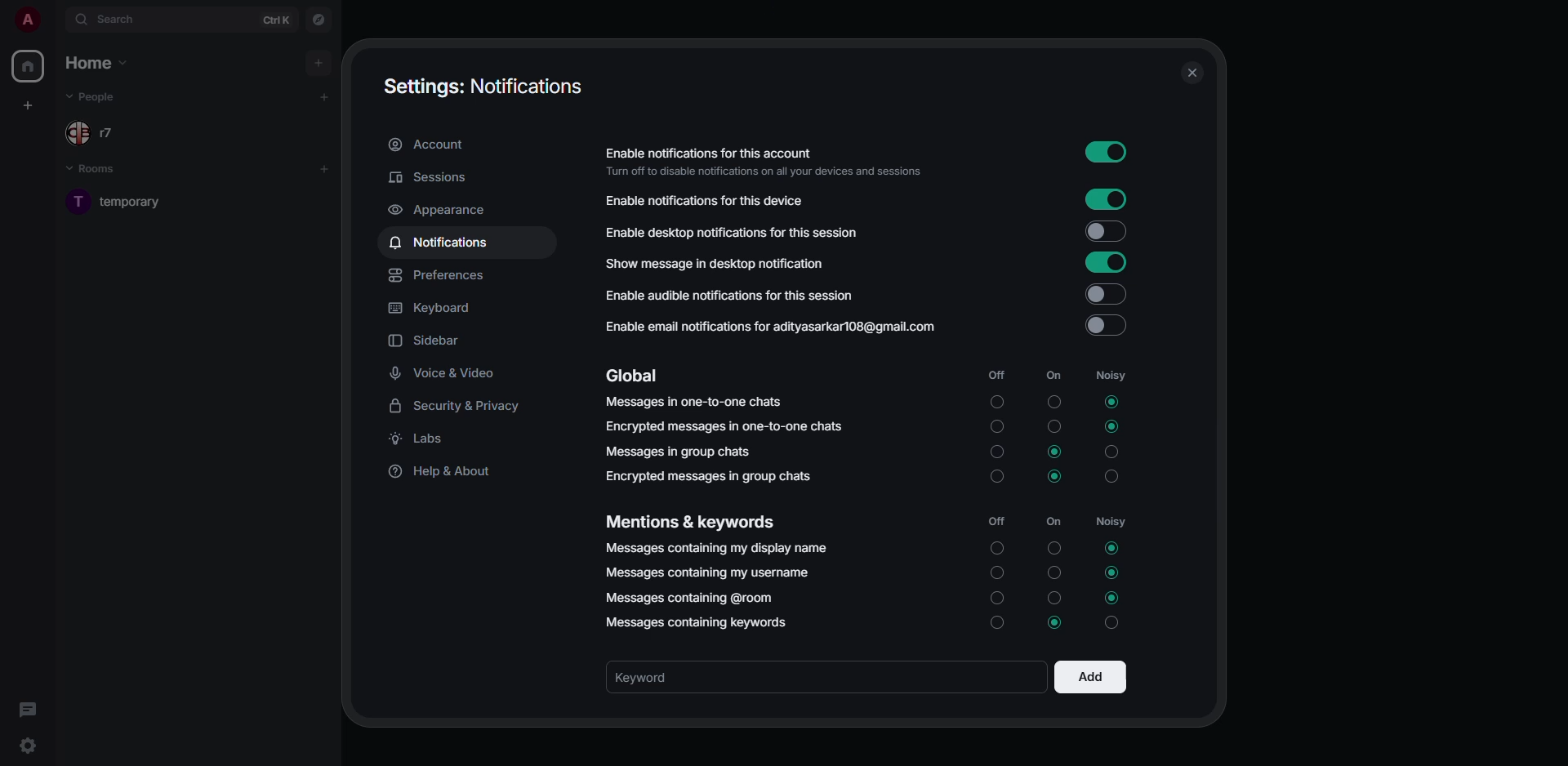 This screenshot has width=1568, height=766. Describe the element at coordinates (688, 598) in the screenshot. I see `messages containing @room` at that location.